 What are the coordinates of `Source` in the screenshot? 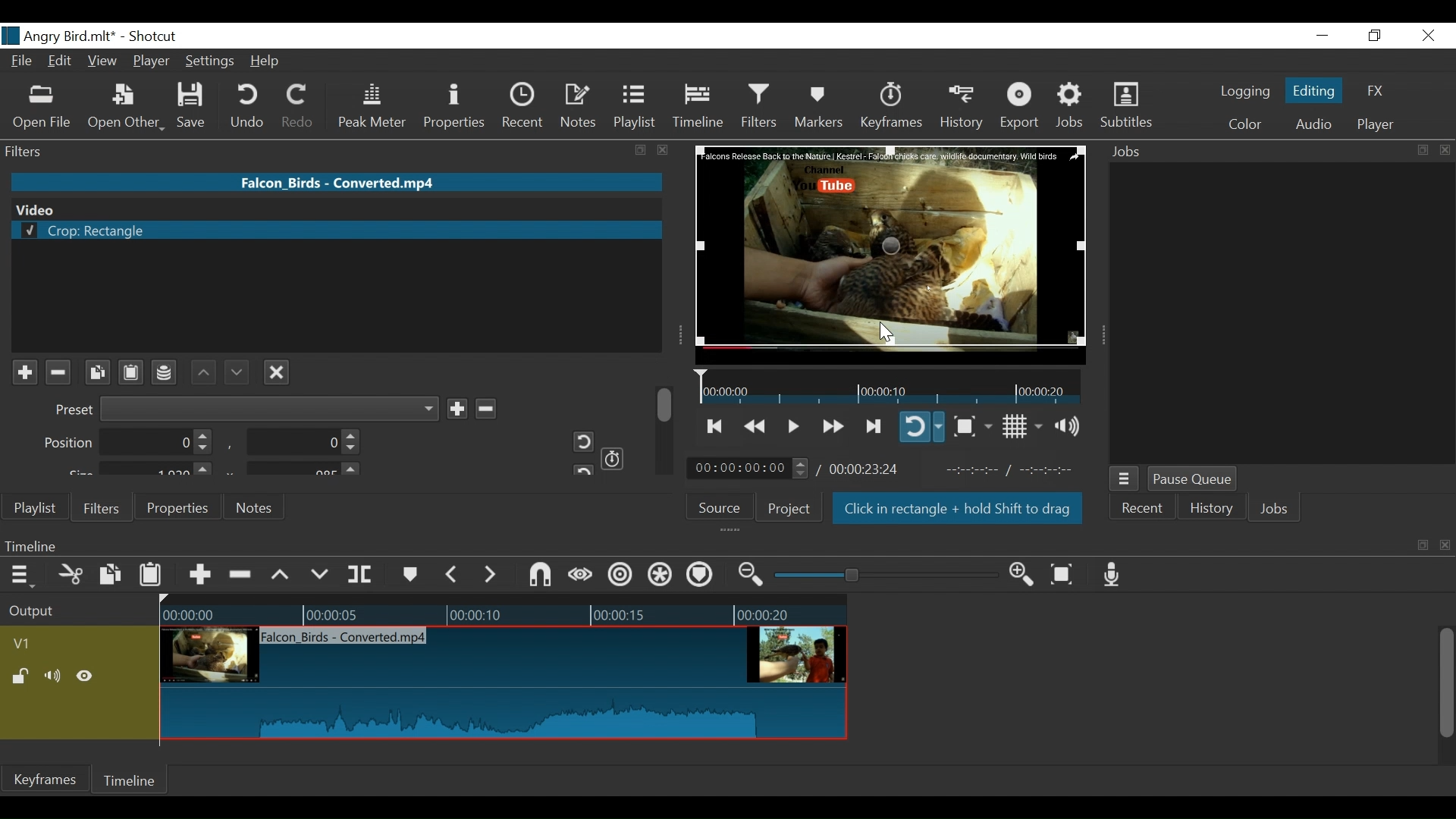 It's located at (725, 506).